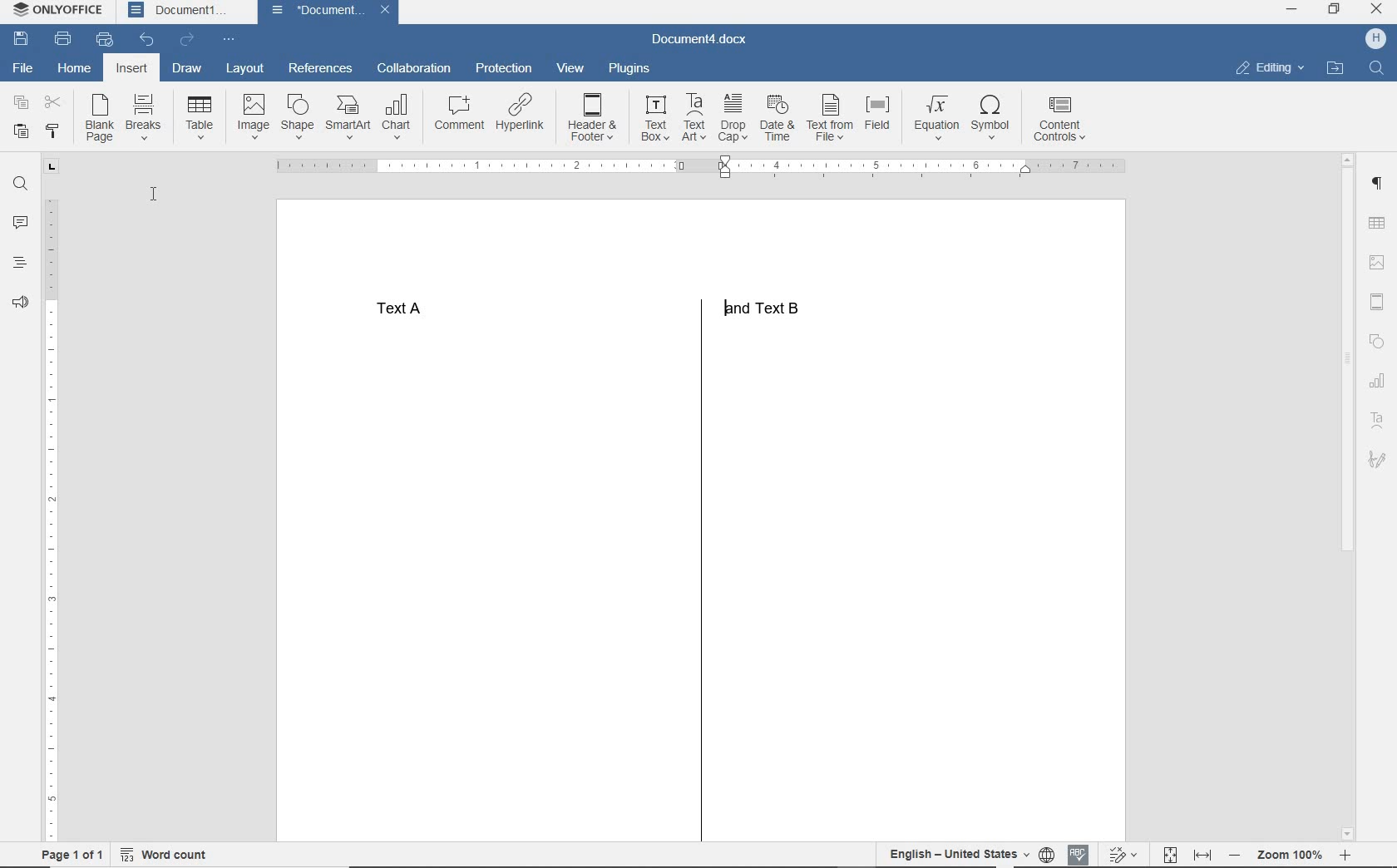 Image resolution: width=1397 pixels, height=868 pixels. What do you see at coordinates (1377, 459) in the screenshot?
I see `sign` at bounding box center [1377, 459].